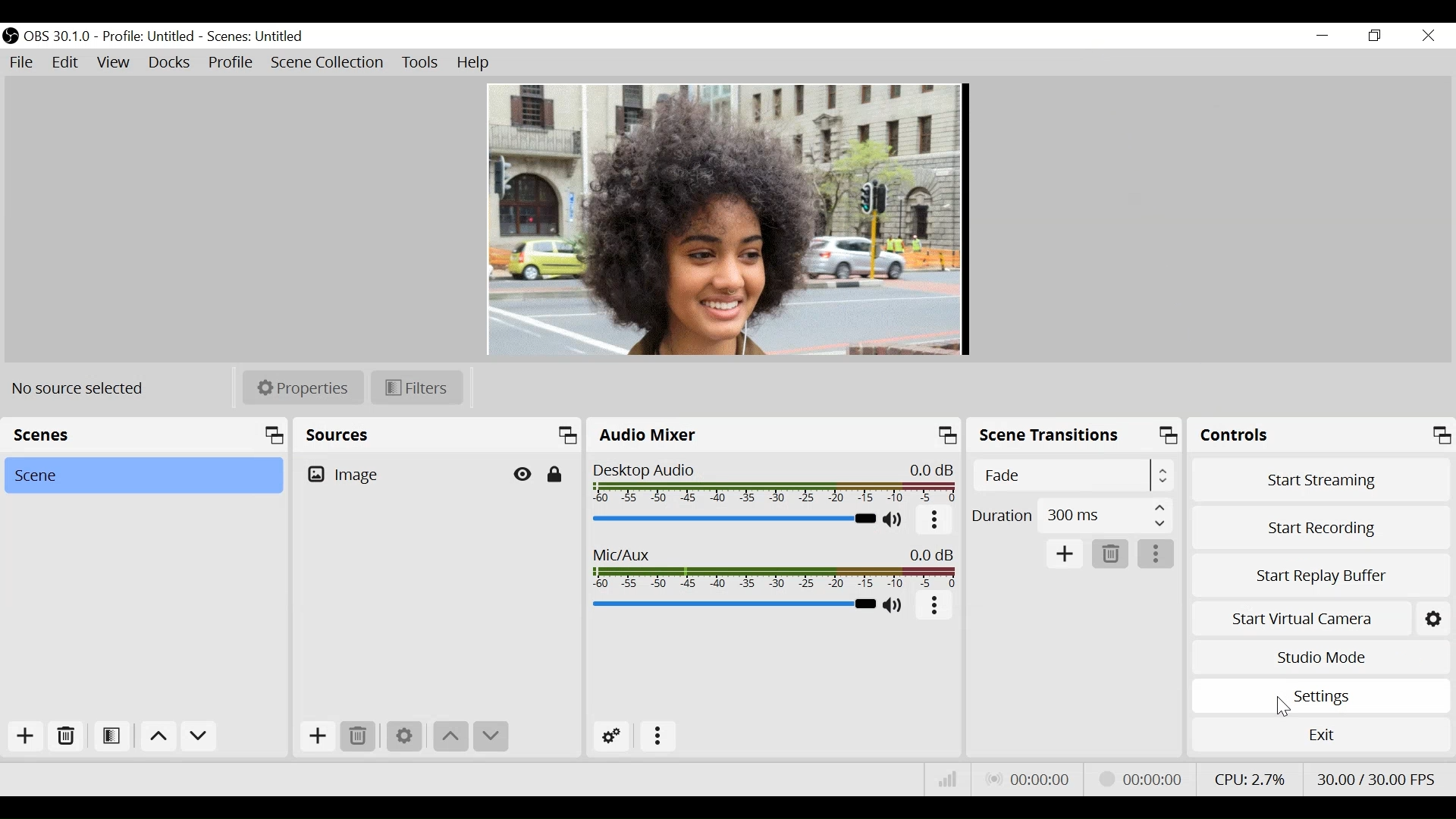 The height and width of the screenshot is (819, 1456). I want to click on Delete, so click(66, 739).